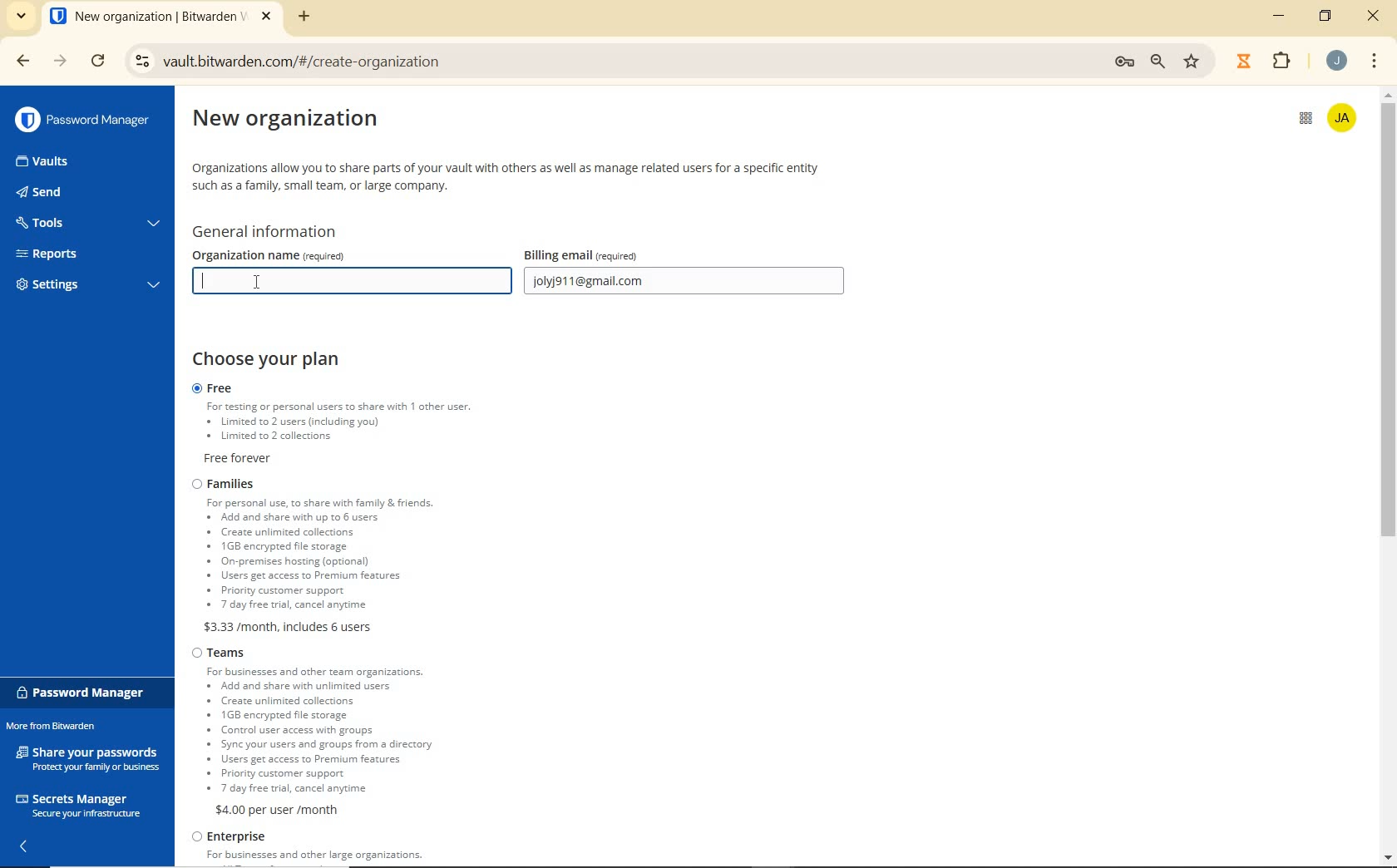  I want to click on restore down, so click(1328, 16).